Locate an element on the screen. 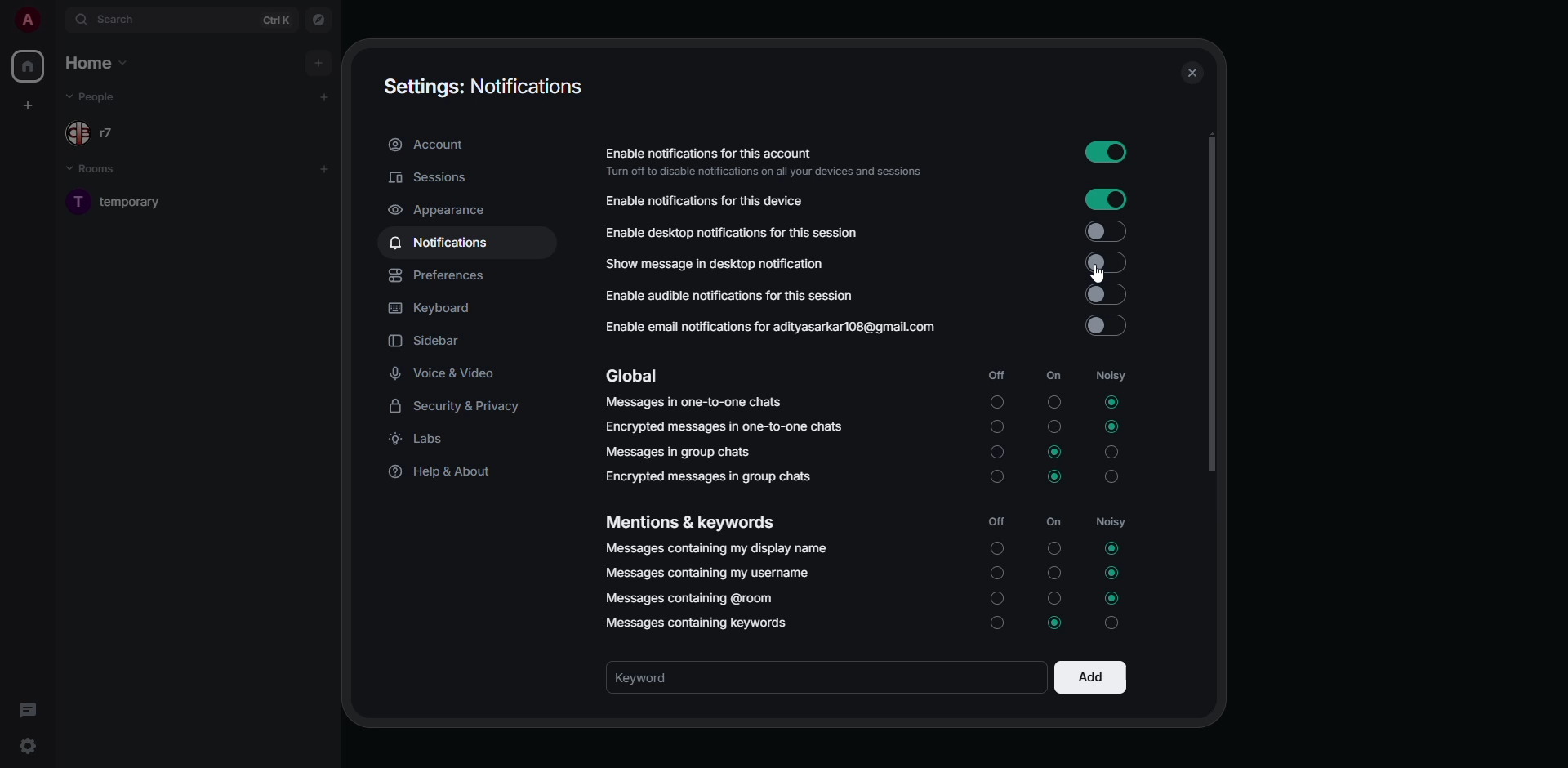  settings notifications is located at coordinates (482, 86).